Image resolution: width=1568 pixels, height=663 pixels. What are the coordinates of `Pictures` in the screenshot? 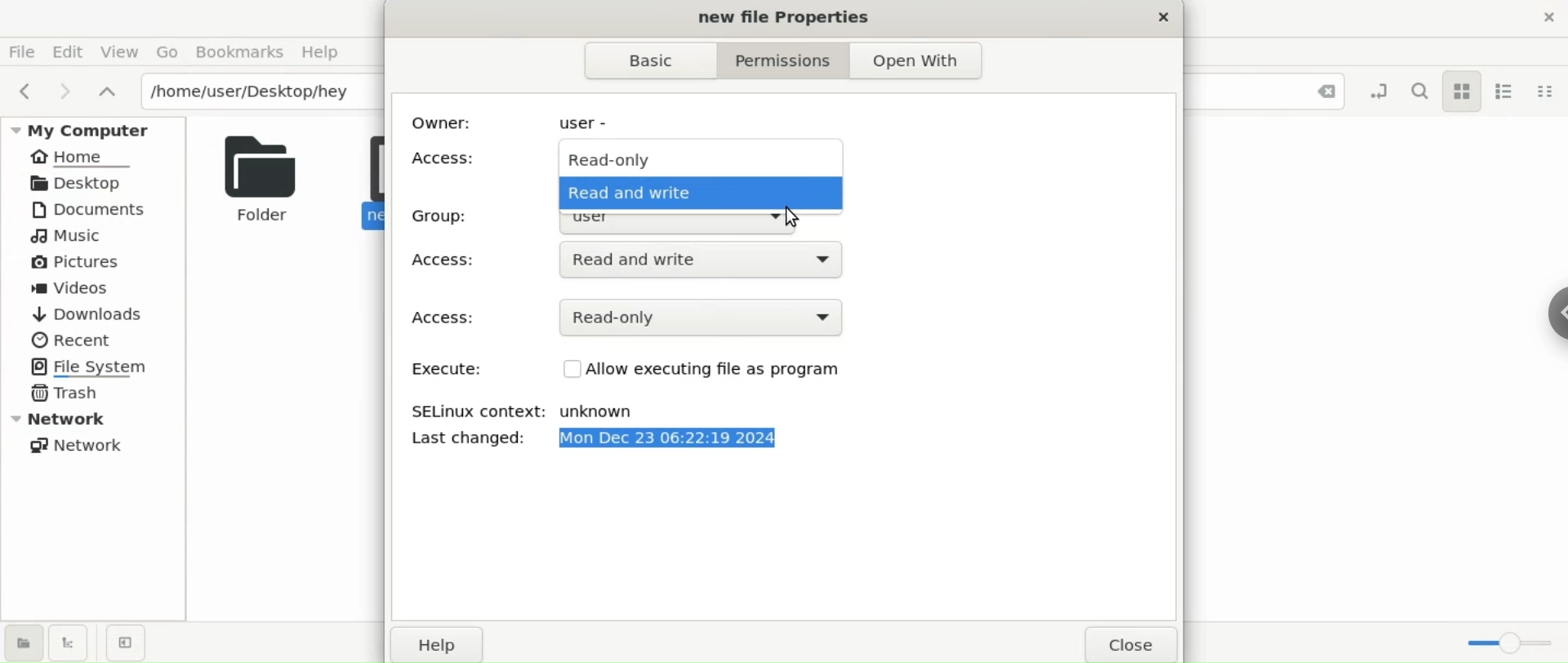 It's located at (77, 263).